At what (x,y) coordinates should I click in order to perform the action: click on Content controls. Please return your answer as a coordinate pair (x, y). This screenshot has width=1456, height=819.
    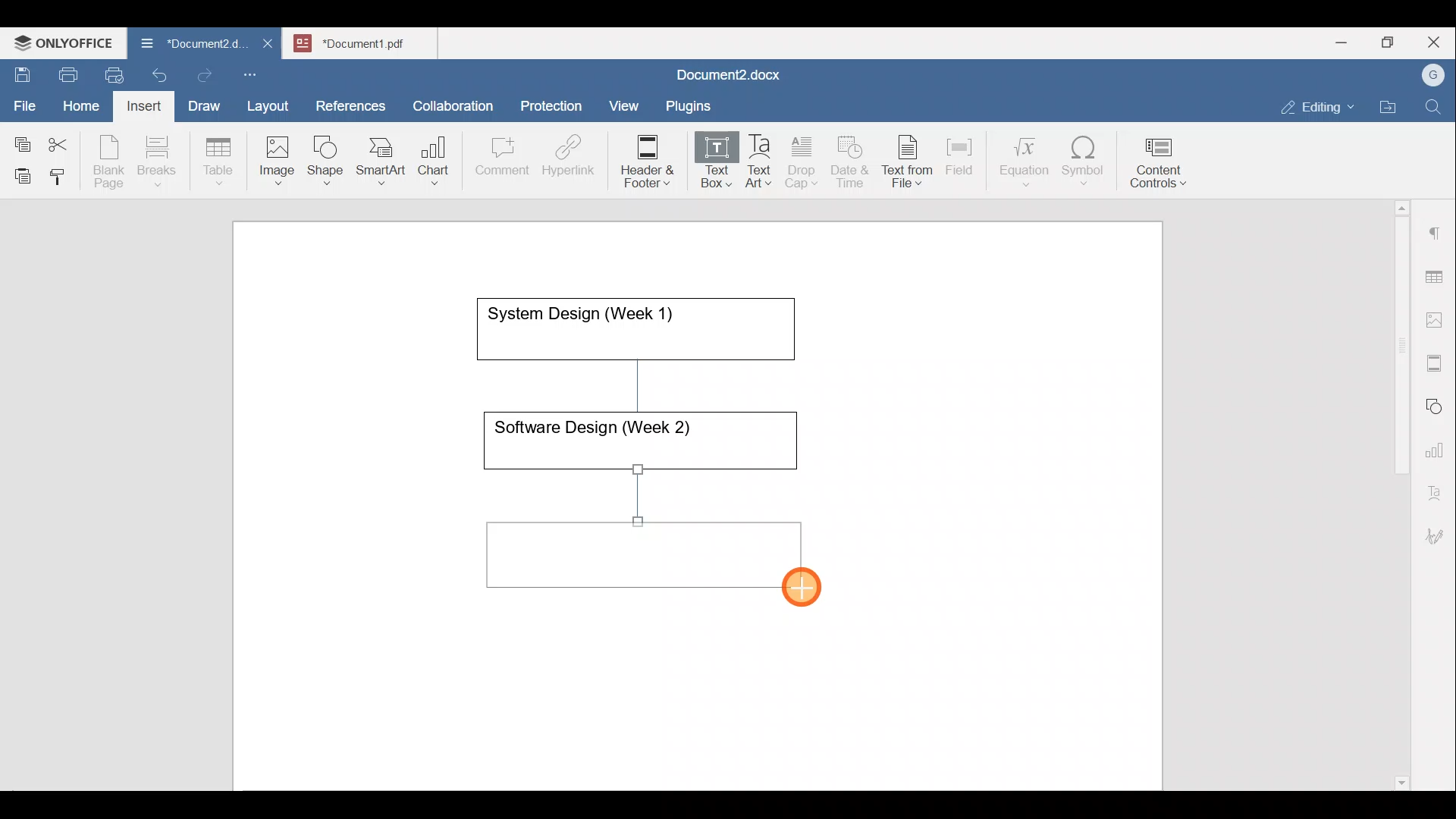
    Looking at the image, I should click on (1161, 168).